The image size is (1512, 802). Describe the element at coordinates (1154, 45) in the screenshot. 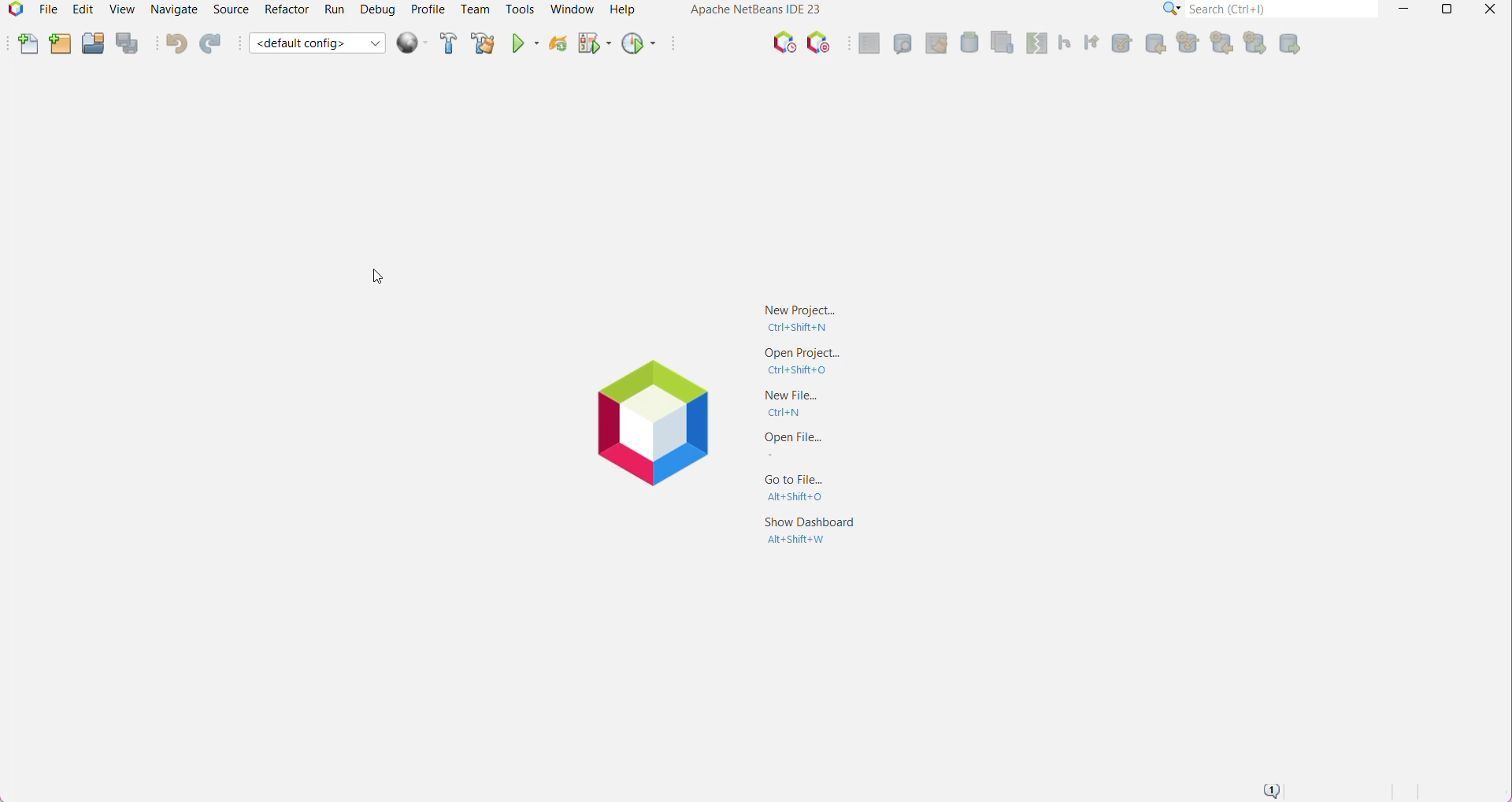

I see `Fetch from Upstream` at that location.